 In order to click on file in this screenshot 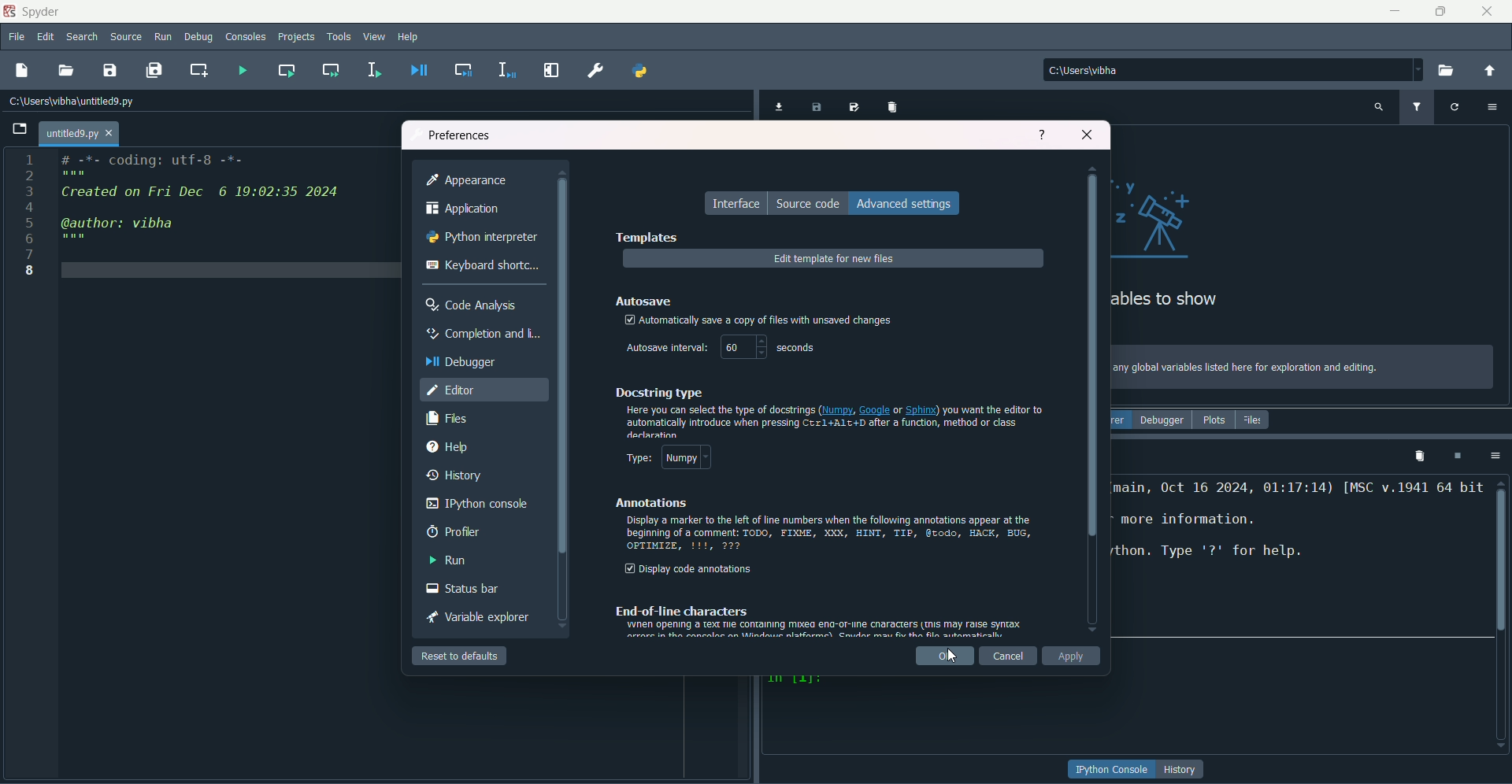, I will do `click(17, 38)`.